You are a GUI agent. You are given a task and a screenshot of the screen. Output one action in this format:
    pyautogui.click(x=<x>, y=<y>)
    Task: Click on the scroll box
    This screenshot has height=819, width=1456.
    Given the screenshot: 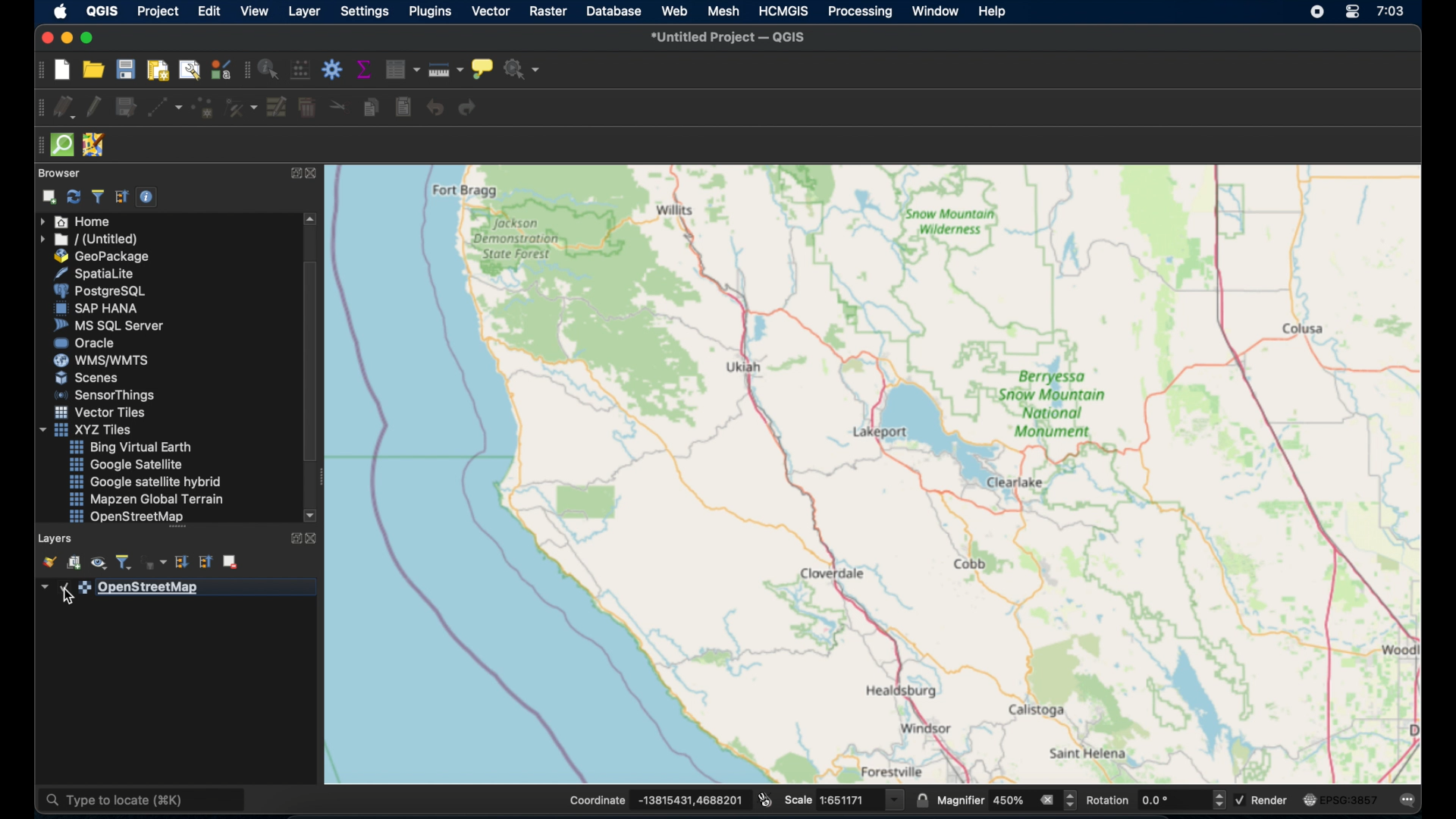 What is the action you would take?
    pyautogui.click(x=313, y=363)
    